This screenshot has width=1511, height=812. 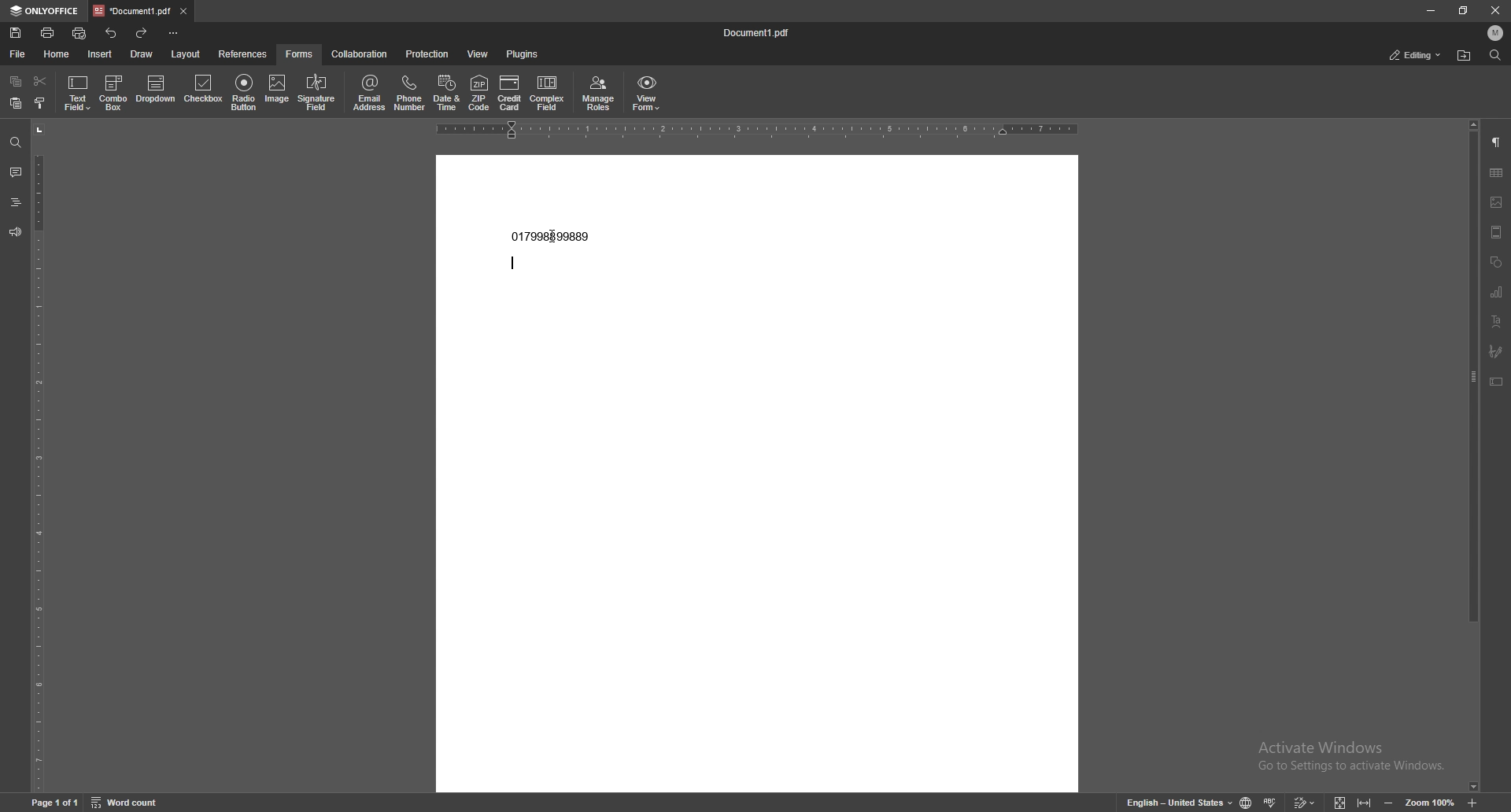 What do you see at coordinates (1342, 802) in the screenshot?
I see `fit to screen` at bounding box center [1342, 802].